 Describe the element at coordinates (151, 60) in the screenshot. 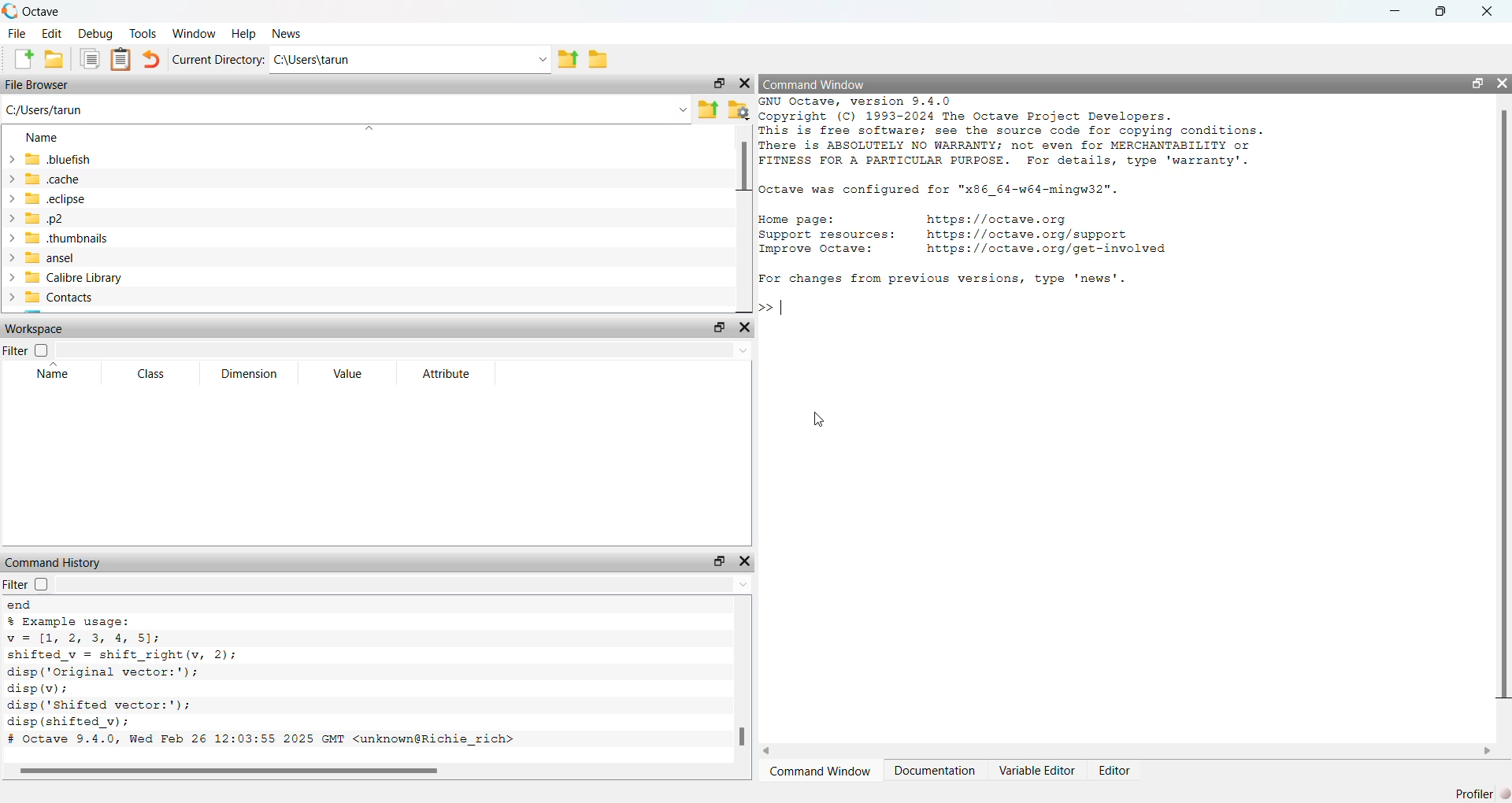

I see `undo` at that location.